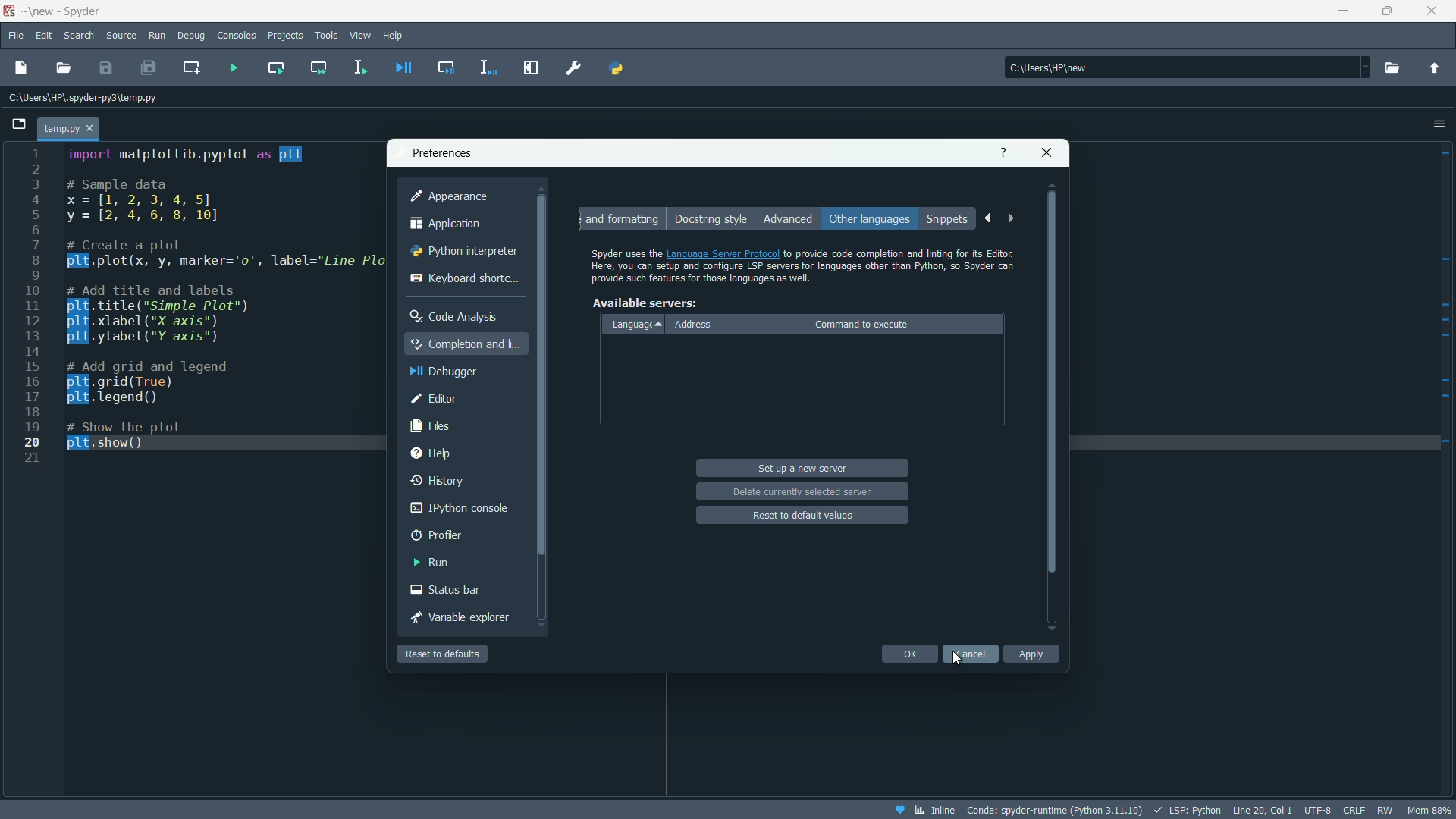 This screenshot has height=819, width=1456. I want to click on minimize, so click(1341, 11).